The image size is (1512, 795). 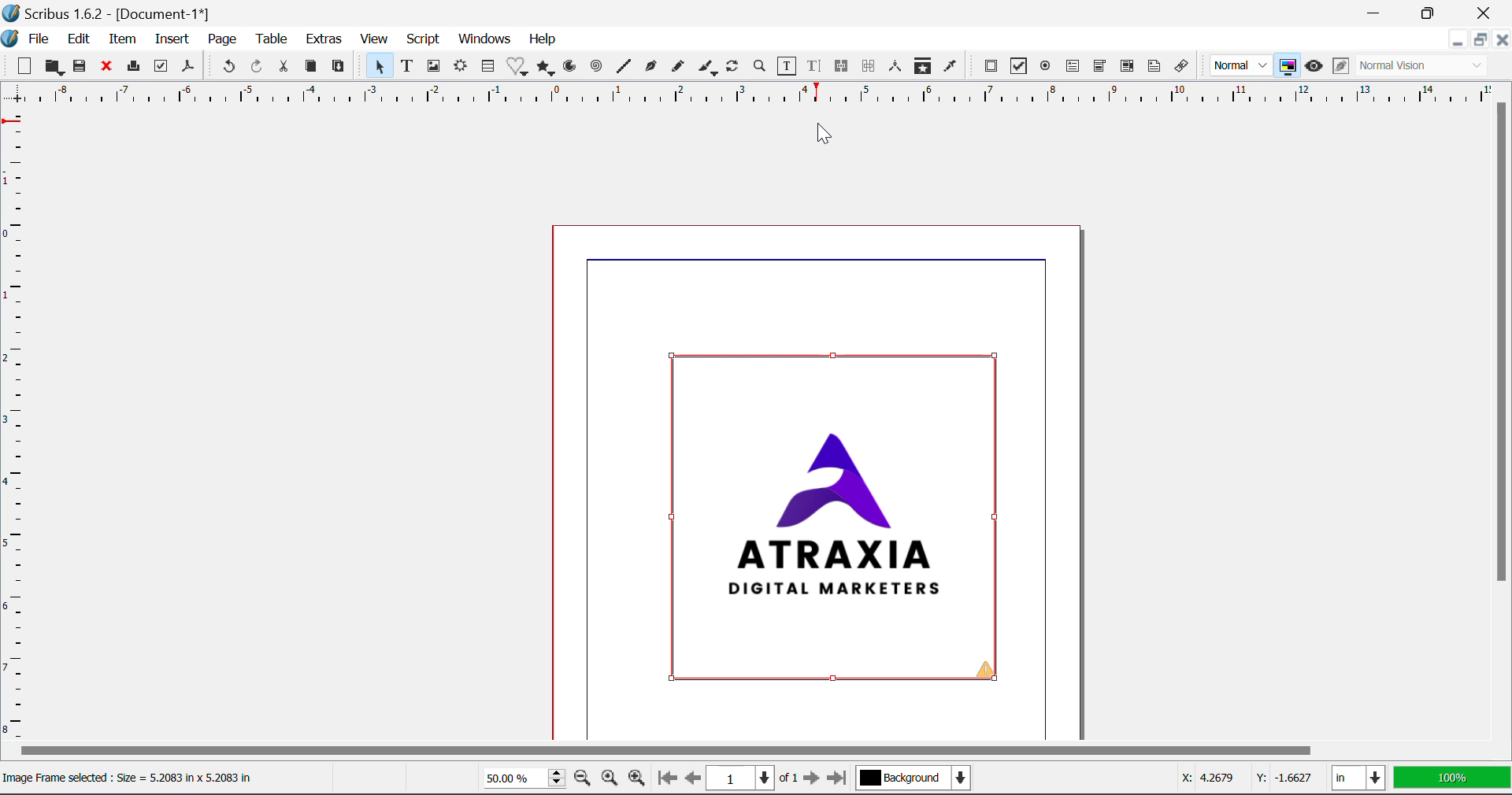 What do you see at coordinates (1046, 67) in the screenshot?
I see `Pdf Radio Button` at bounding box center [1046, 67].